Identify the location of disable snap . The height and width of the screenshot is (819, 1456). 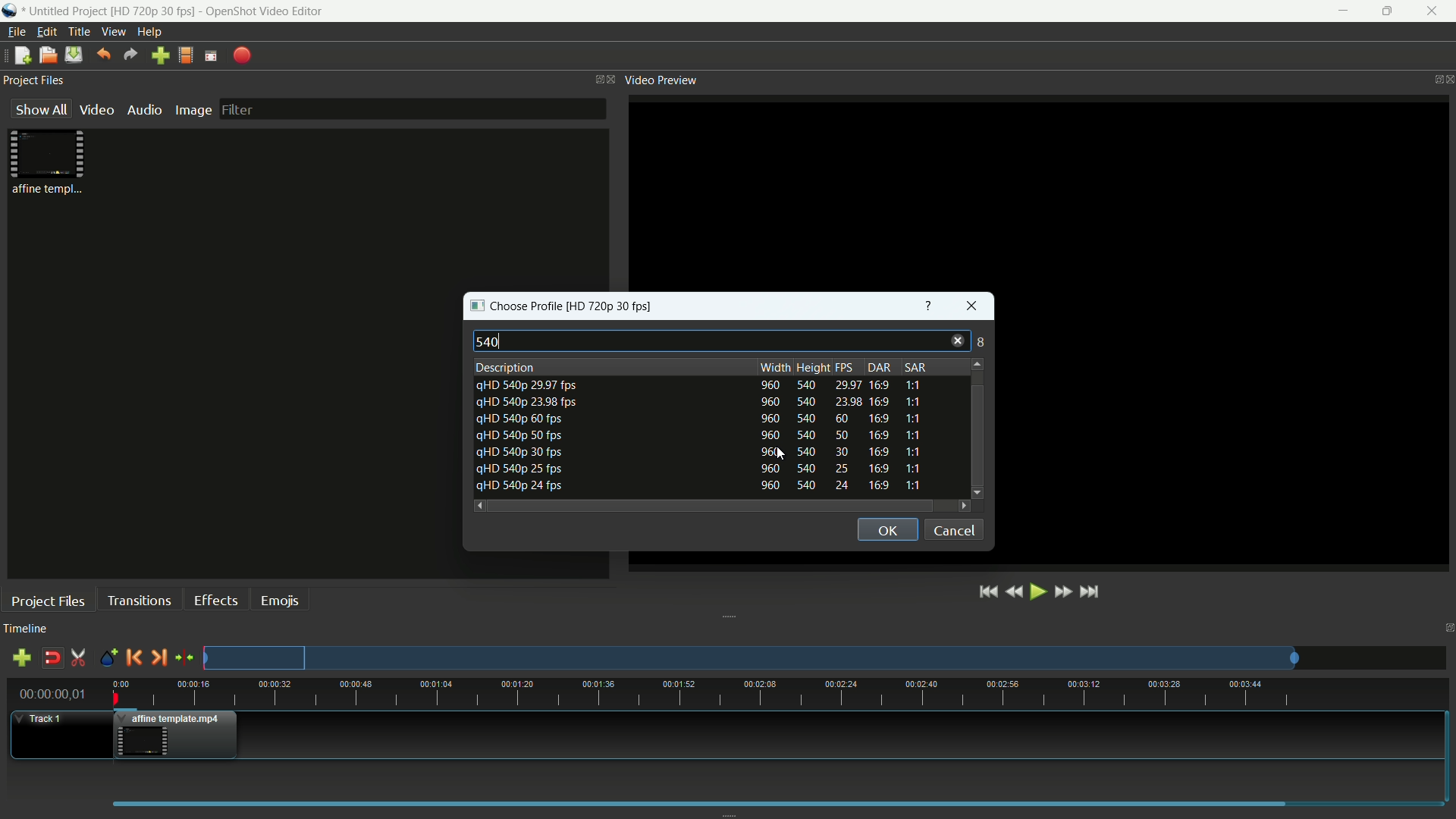
(52, 659).